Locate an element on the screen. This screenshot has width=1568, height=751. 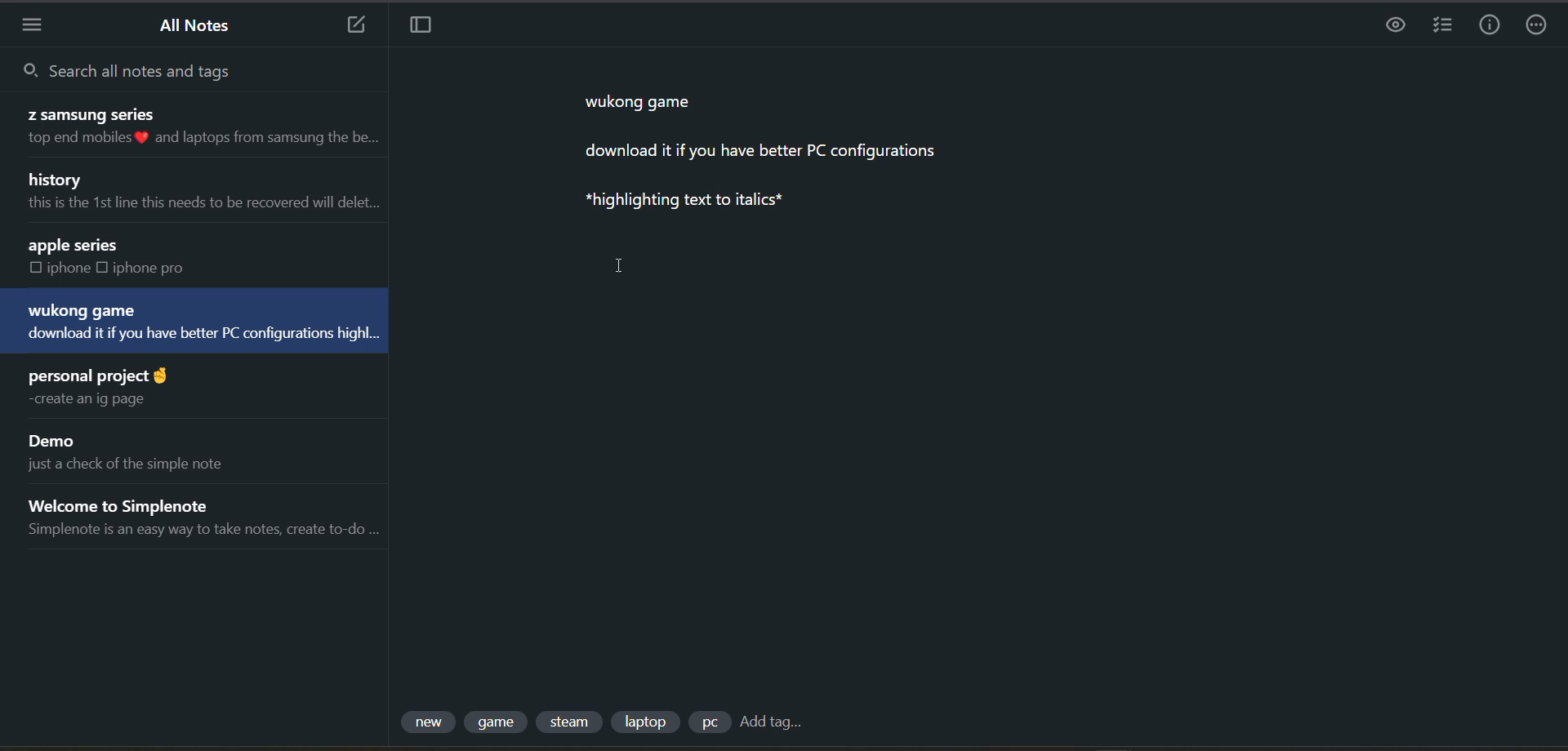
note title and preview is located at coordinates (140, 452).